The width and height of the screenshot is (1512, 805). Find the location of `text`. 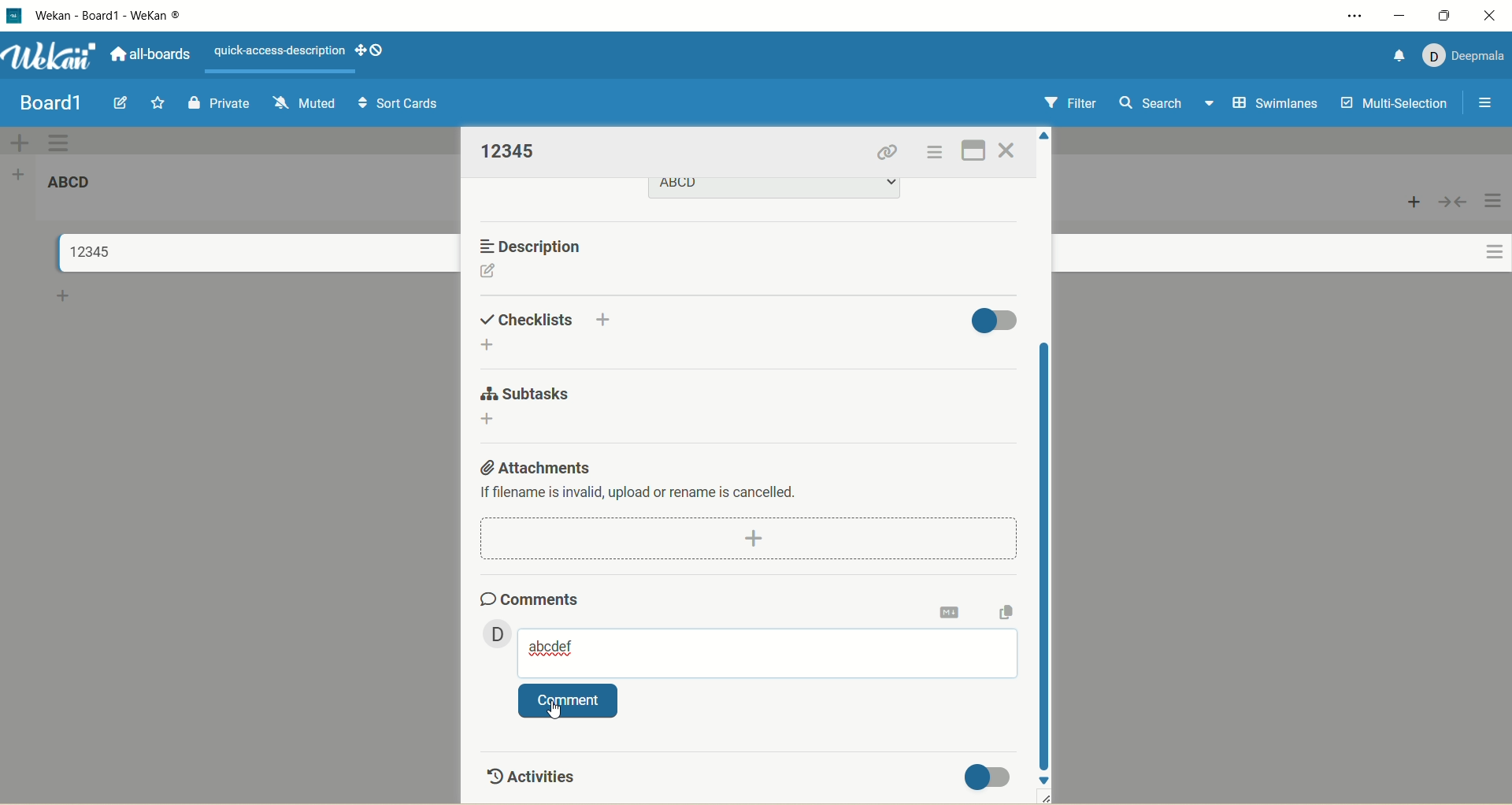

text is located at coordinates (641, 494).